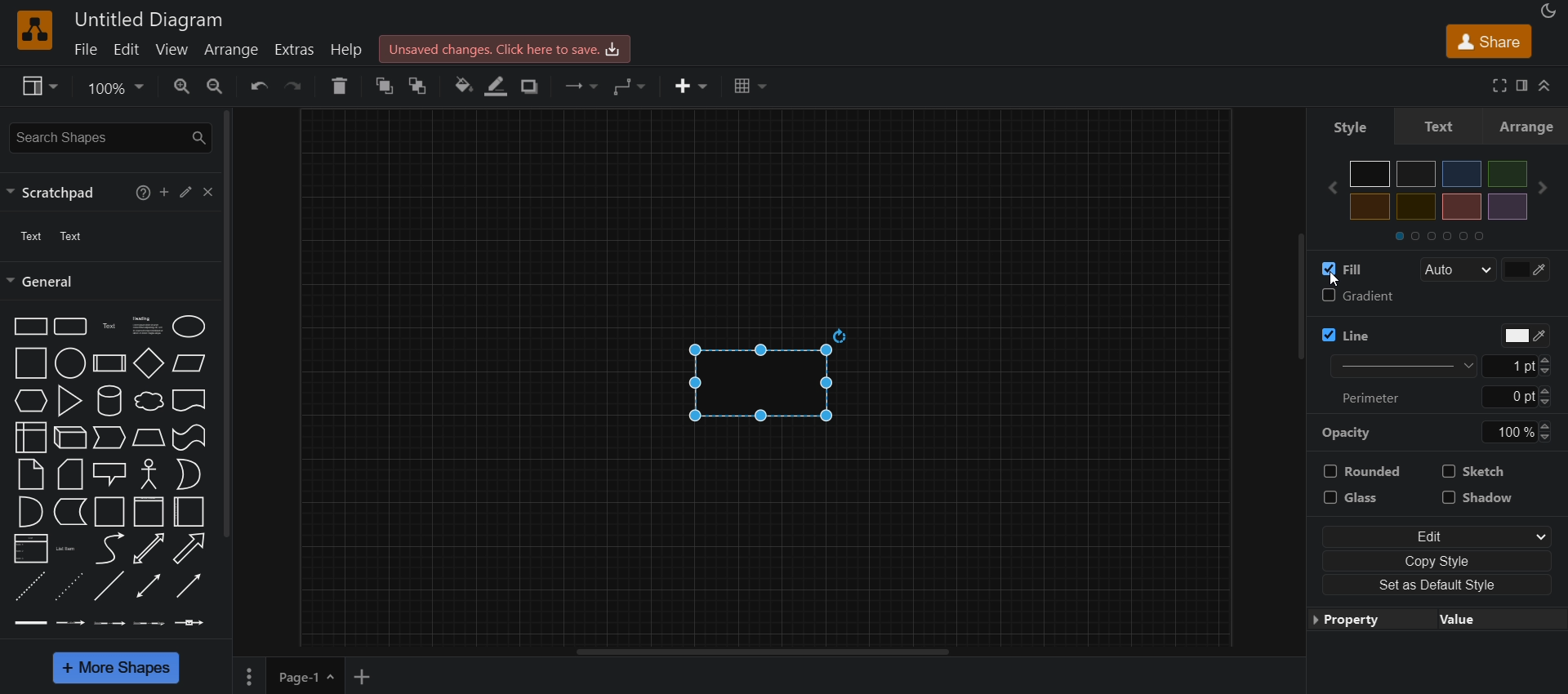 This screenshot has height=694, width=1568. I want to click on search shapes, so click(110, 135).